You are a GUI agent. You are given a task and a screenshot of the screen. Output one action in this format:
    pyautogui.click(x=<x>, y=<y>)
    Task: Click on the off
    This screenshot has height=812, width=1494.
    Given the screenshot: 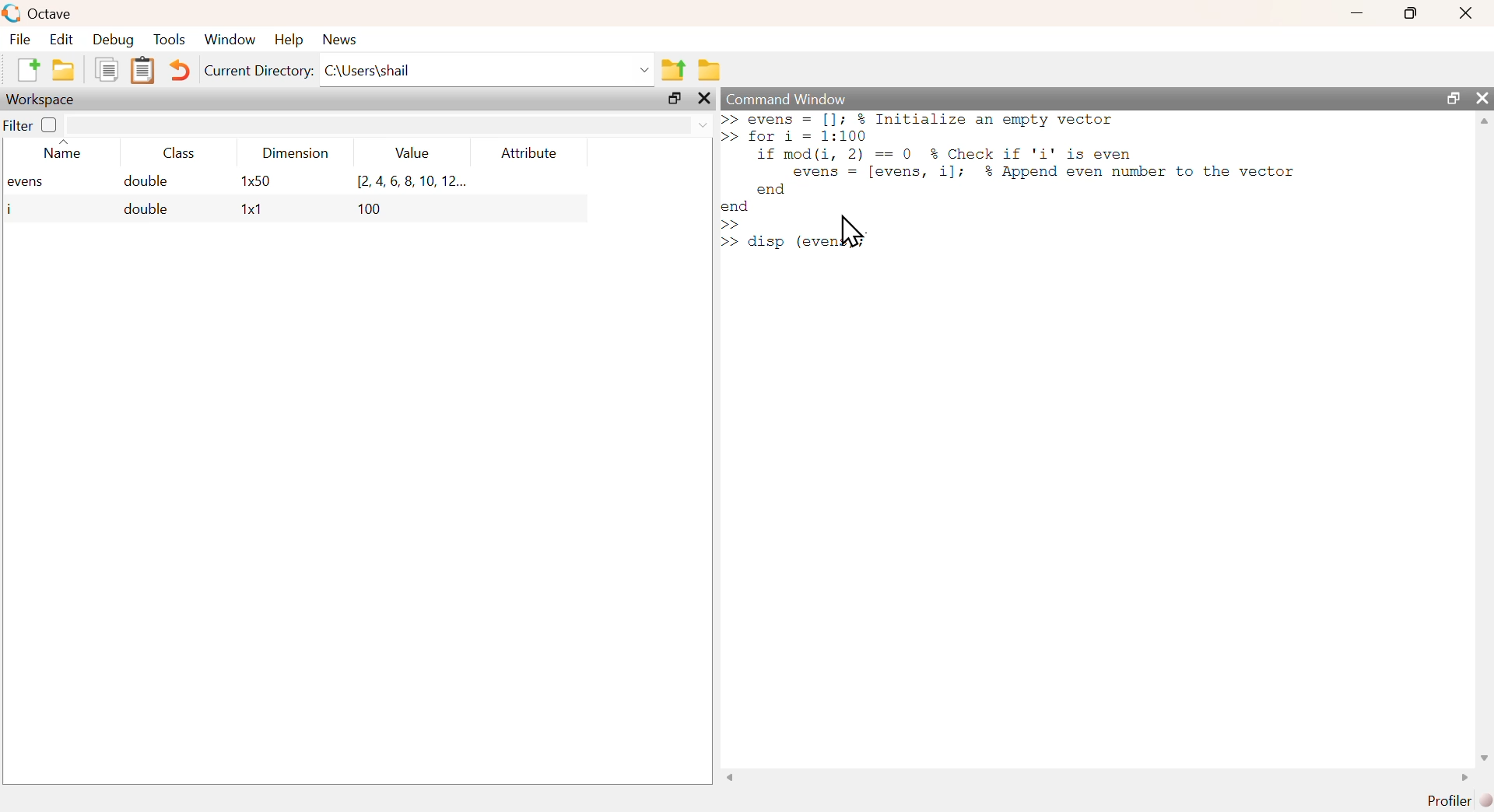 What is the action you would take?
    pyautogui.click(x=50, y=124)
    